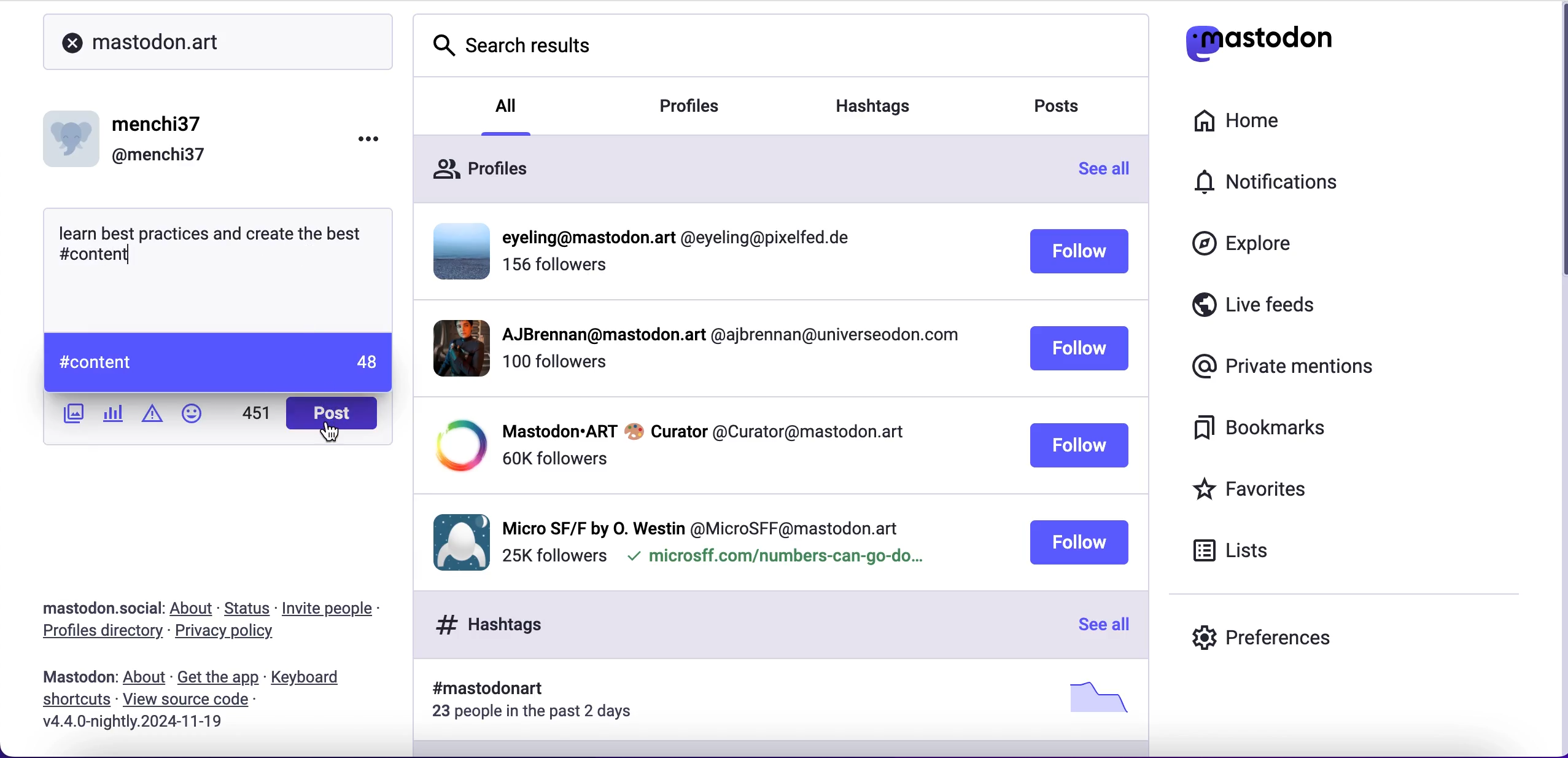 The width and height of the screenshot is (1568, 758). Describe the element at coordinates (257, 417) in the screenshot. I see `451 characters left` at that location.